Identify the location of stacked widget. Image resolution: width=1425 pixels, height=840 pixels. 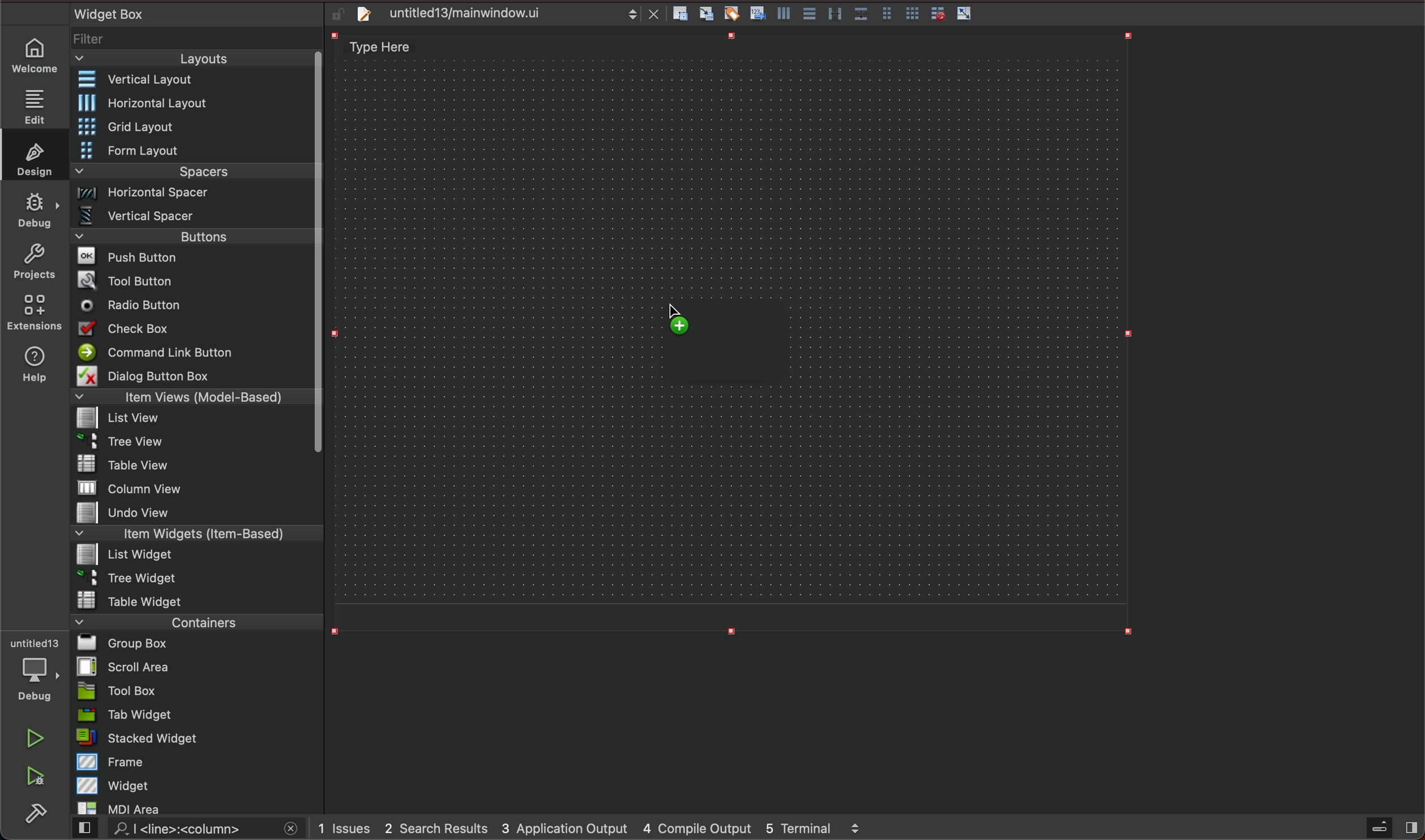
(194, 739).